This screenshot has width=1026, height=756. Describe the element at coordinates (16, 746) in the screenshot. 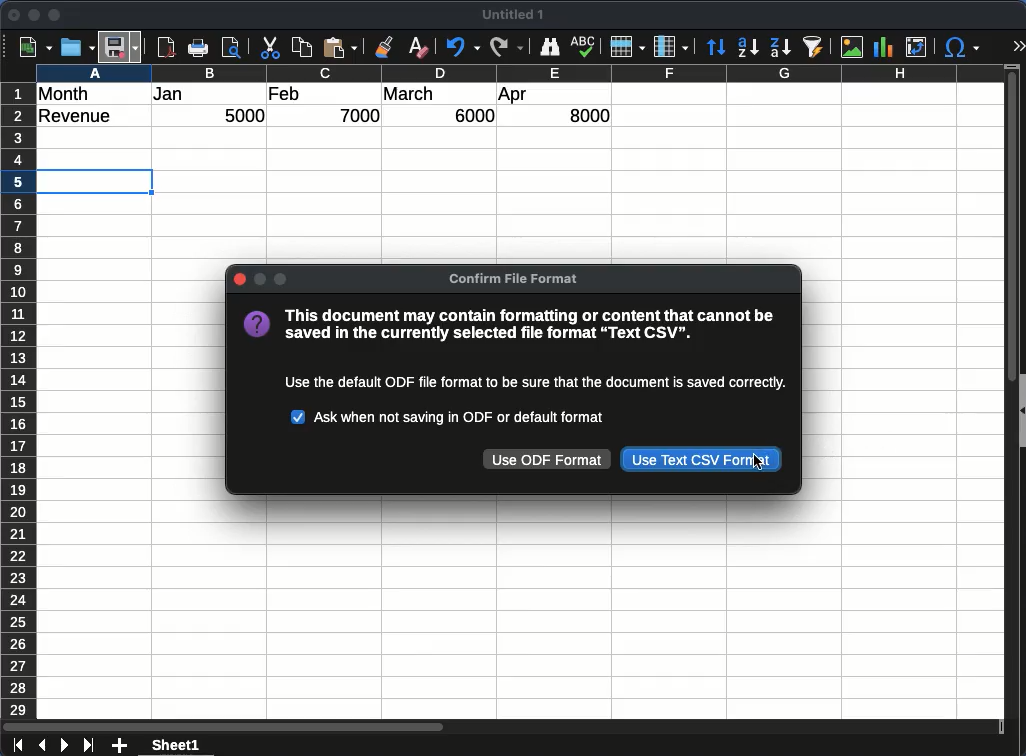

I see `first sheet` at that location.